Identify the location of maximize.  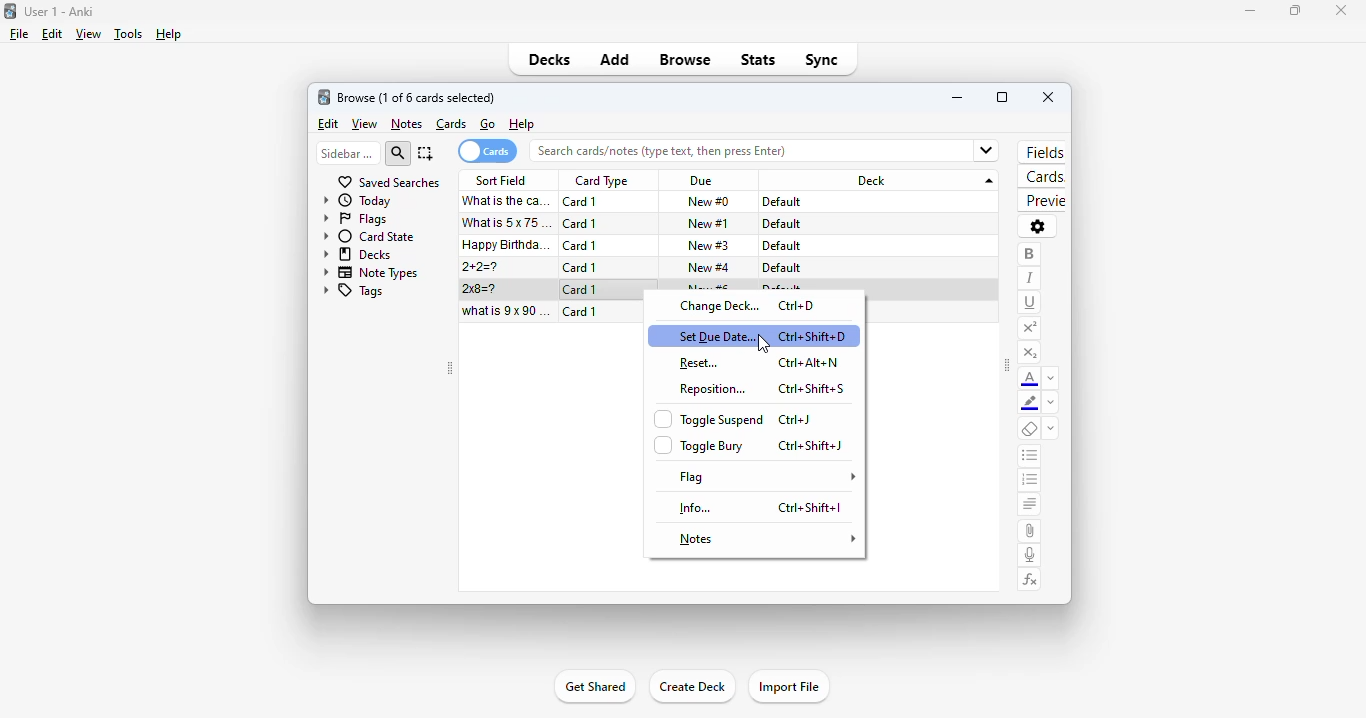
(1294, 12).